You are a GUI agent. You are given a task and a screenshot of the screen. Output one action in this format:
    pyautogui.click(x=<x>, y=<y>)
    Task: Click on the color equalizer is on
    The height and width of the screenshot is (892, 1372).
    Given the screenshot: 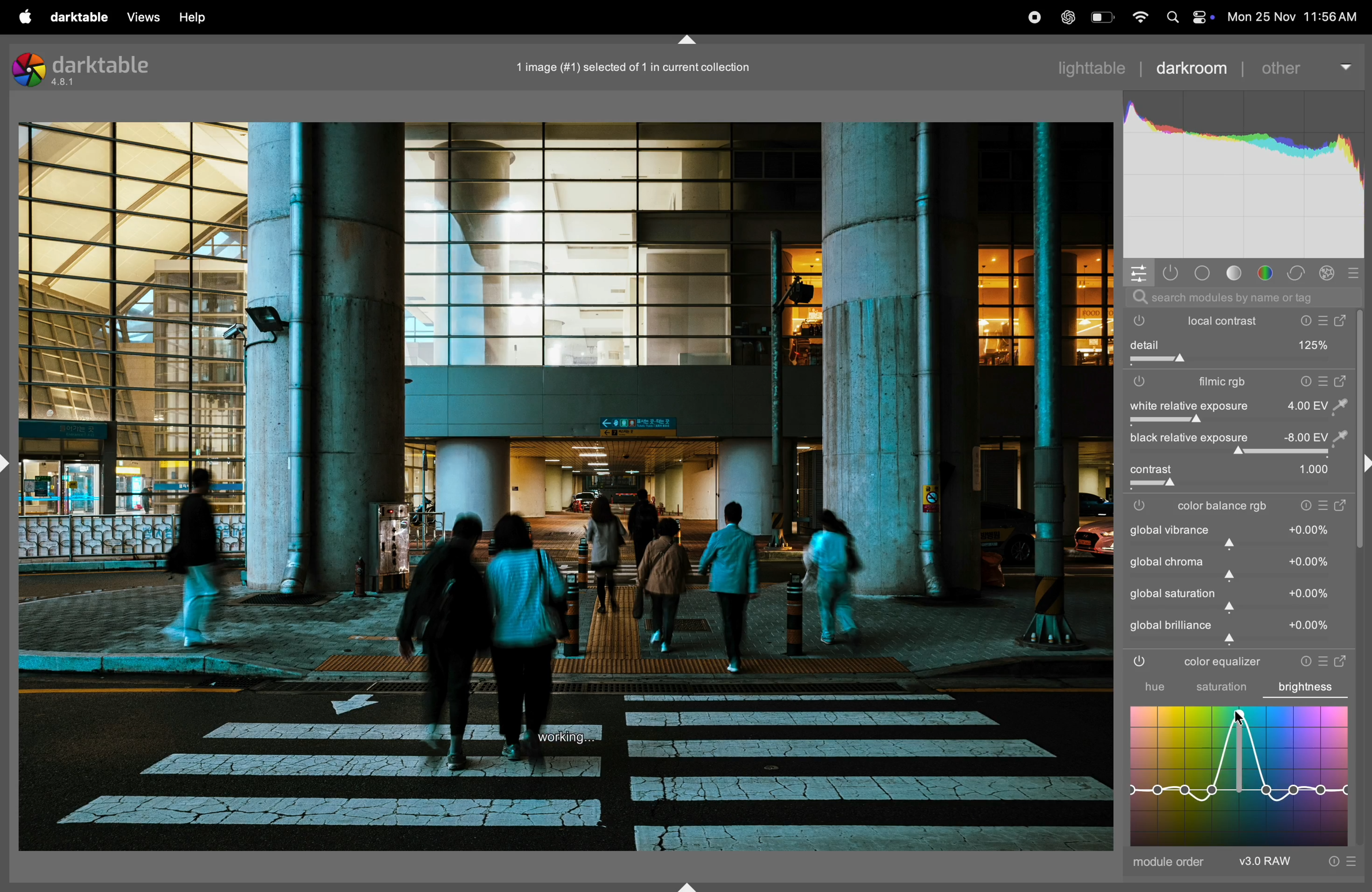 What is the action you would take?
    pyautogui.click(x=1140, y=663)
    